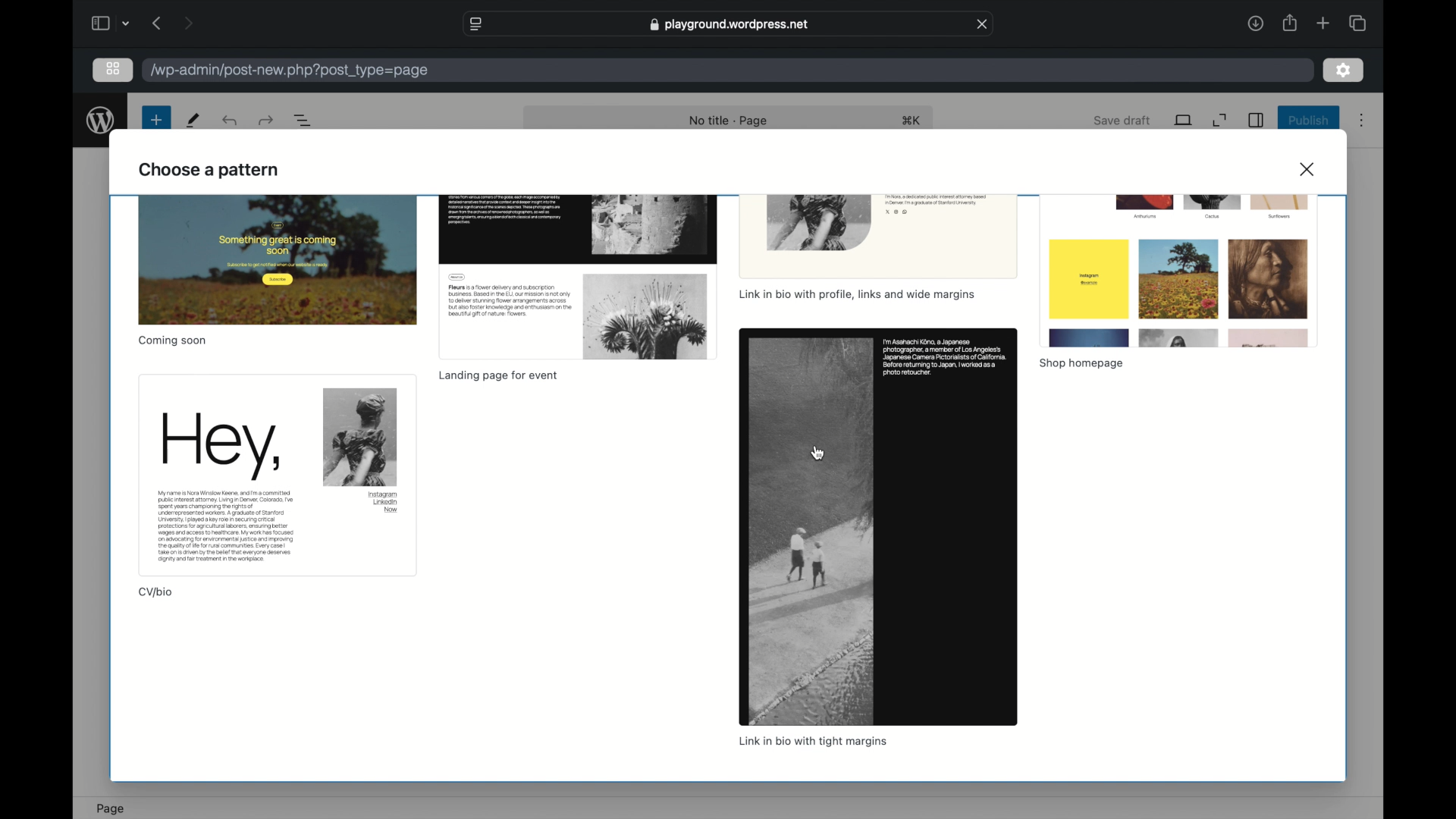 Image resolution: width=1456 pixels, height=819 pixels. I want to click on downloads, so click(1256, 23).